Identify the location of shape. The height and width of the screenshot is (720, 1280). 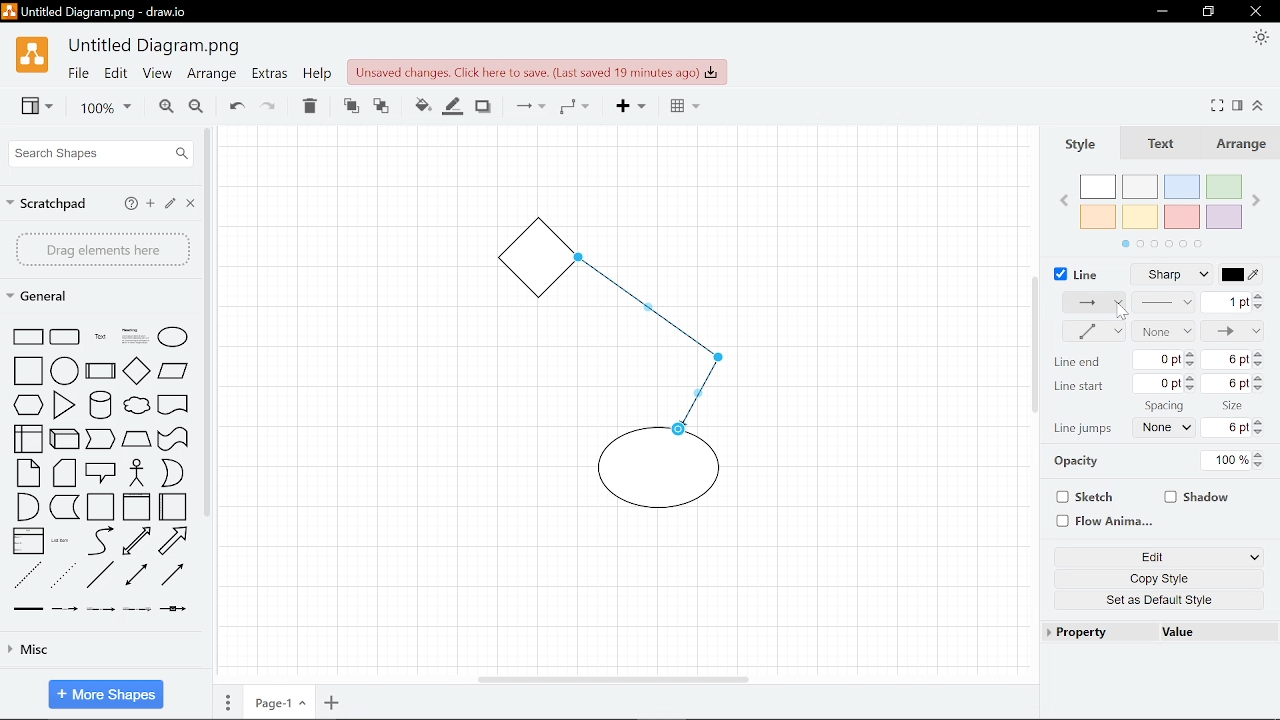
(136, 508).